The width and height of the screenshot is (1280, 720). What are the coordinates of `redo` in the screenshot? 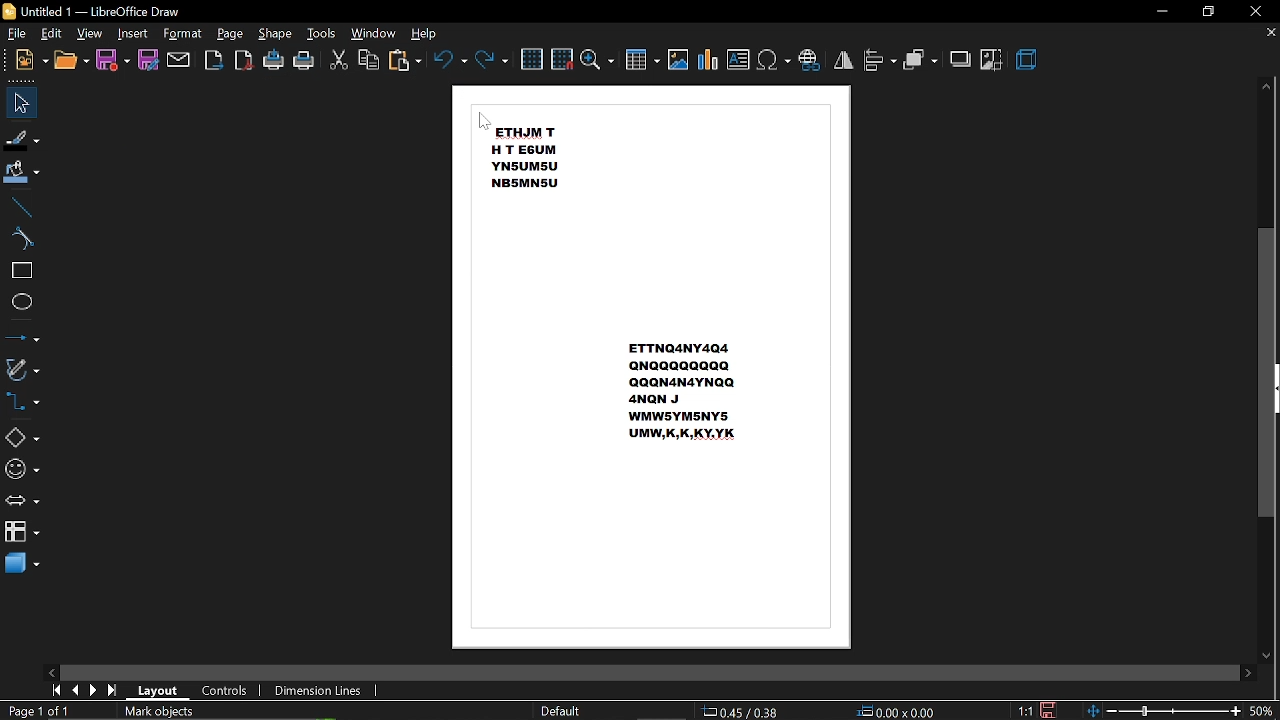 It's located at (493, 60).